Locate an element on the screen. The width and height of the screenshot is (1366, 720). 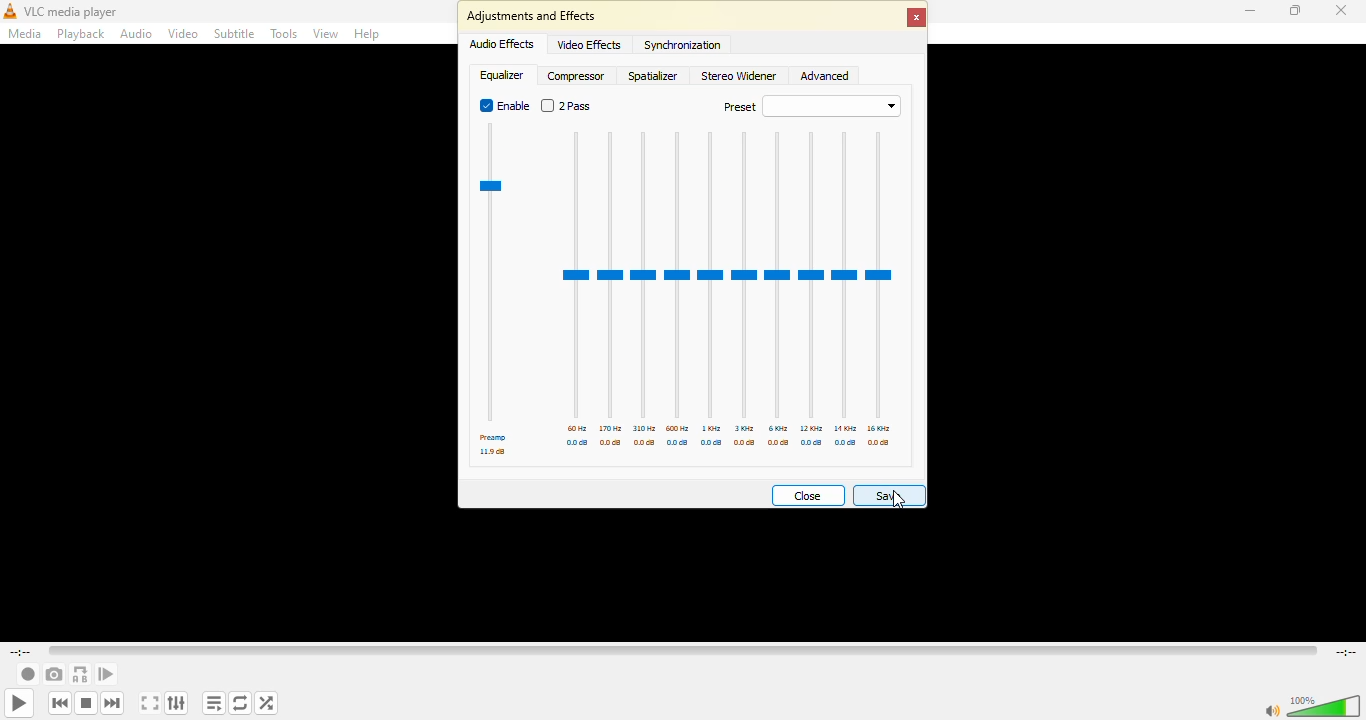
adjustor is located at coordinates (676, 276).